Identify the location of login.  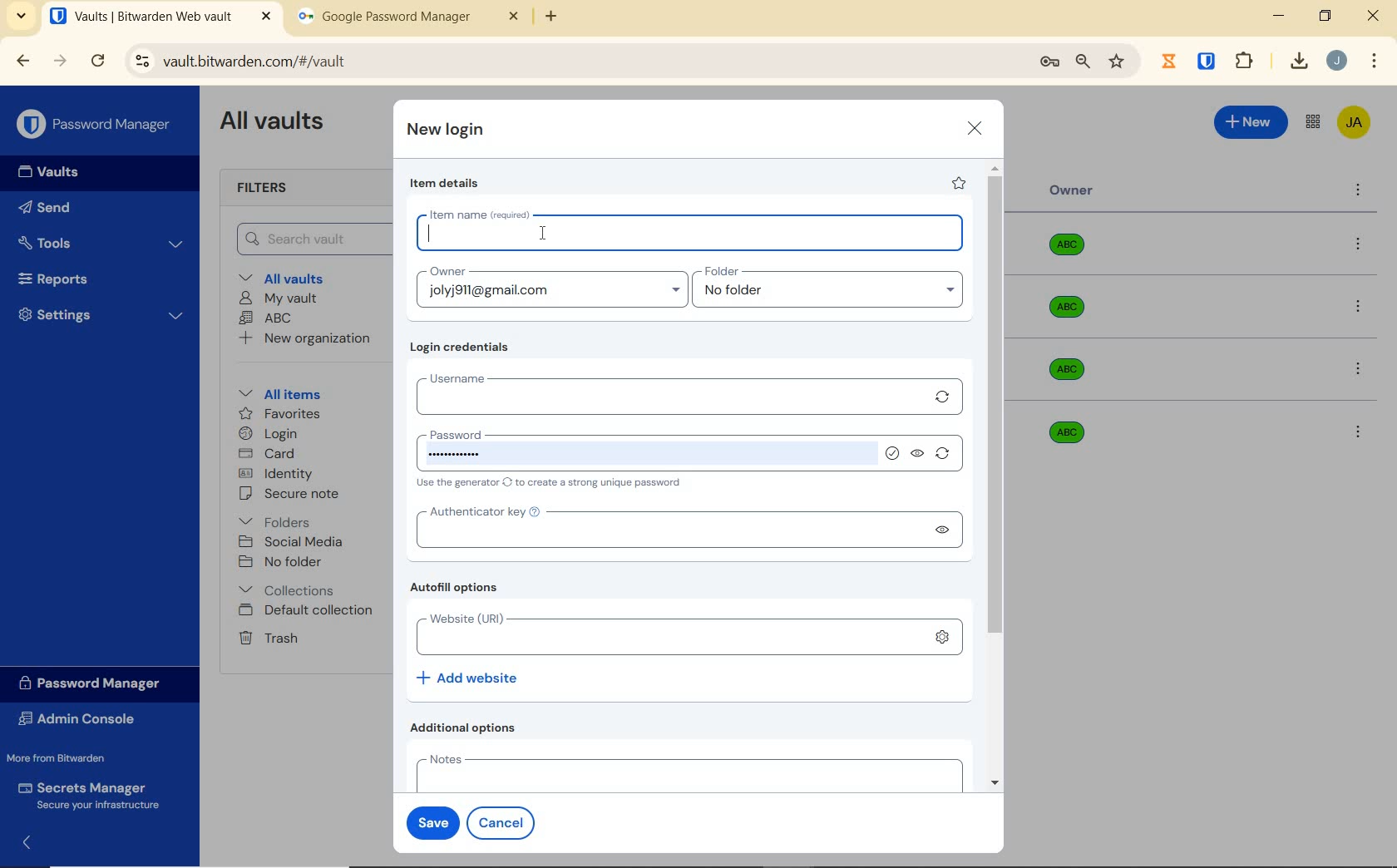
(268, 435).